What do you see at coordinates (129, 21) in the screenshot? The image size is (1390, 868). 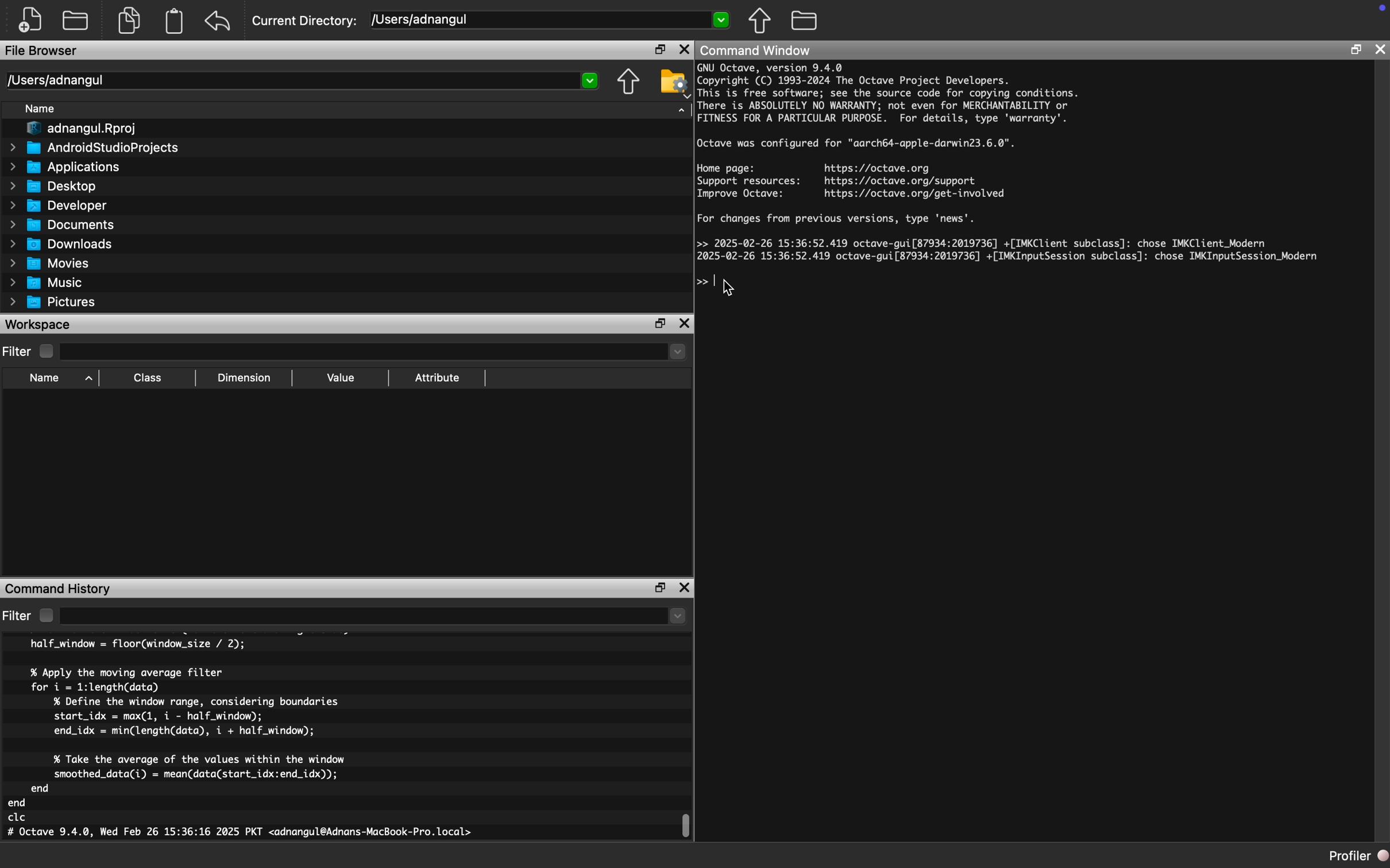 I see `Copy` at bounding box center [129, 21].